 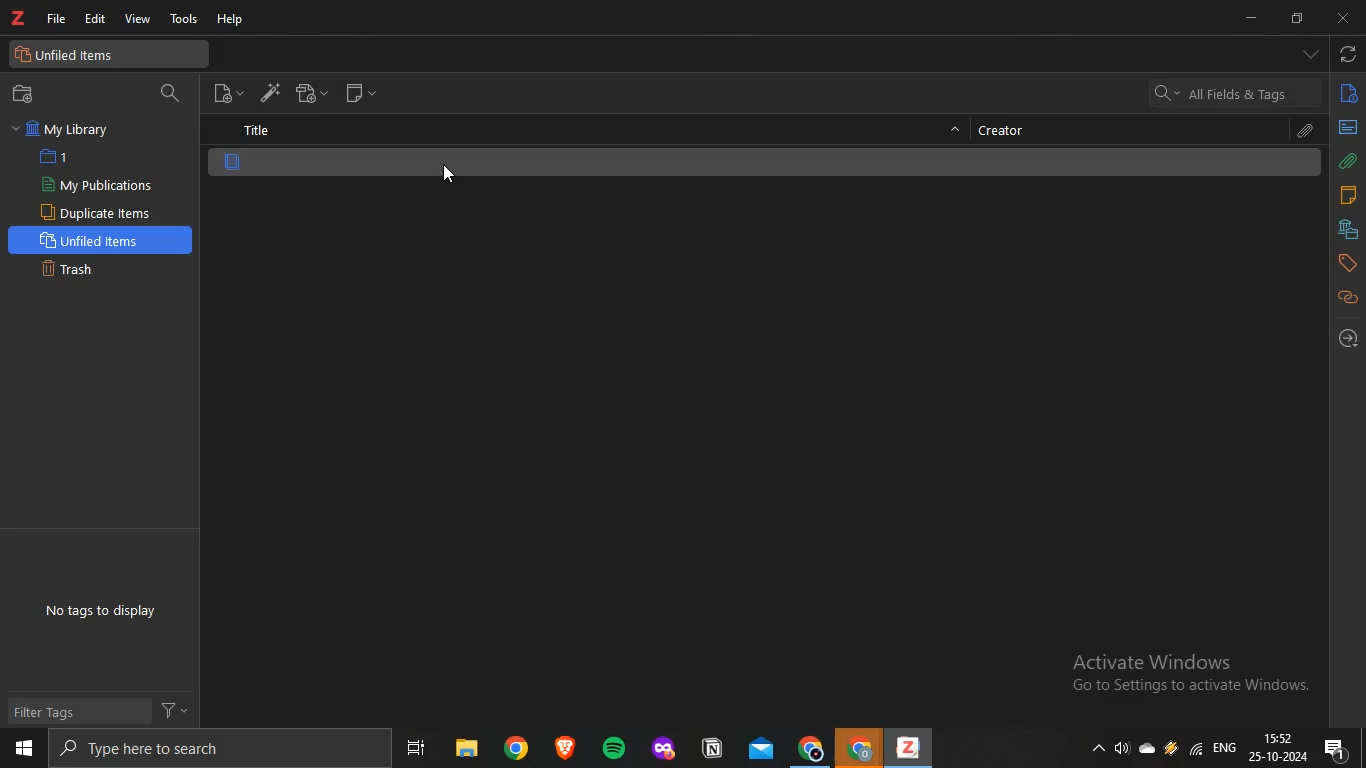 I want to click on notification, so click(x=1337, y=748).